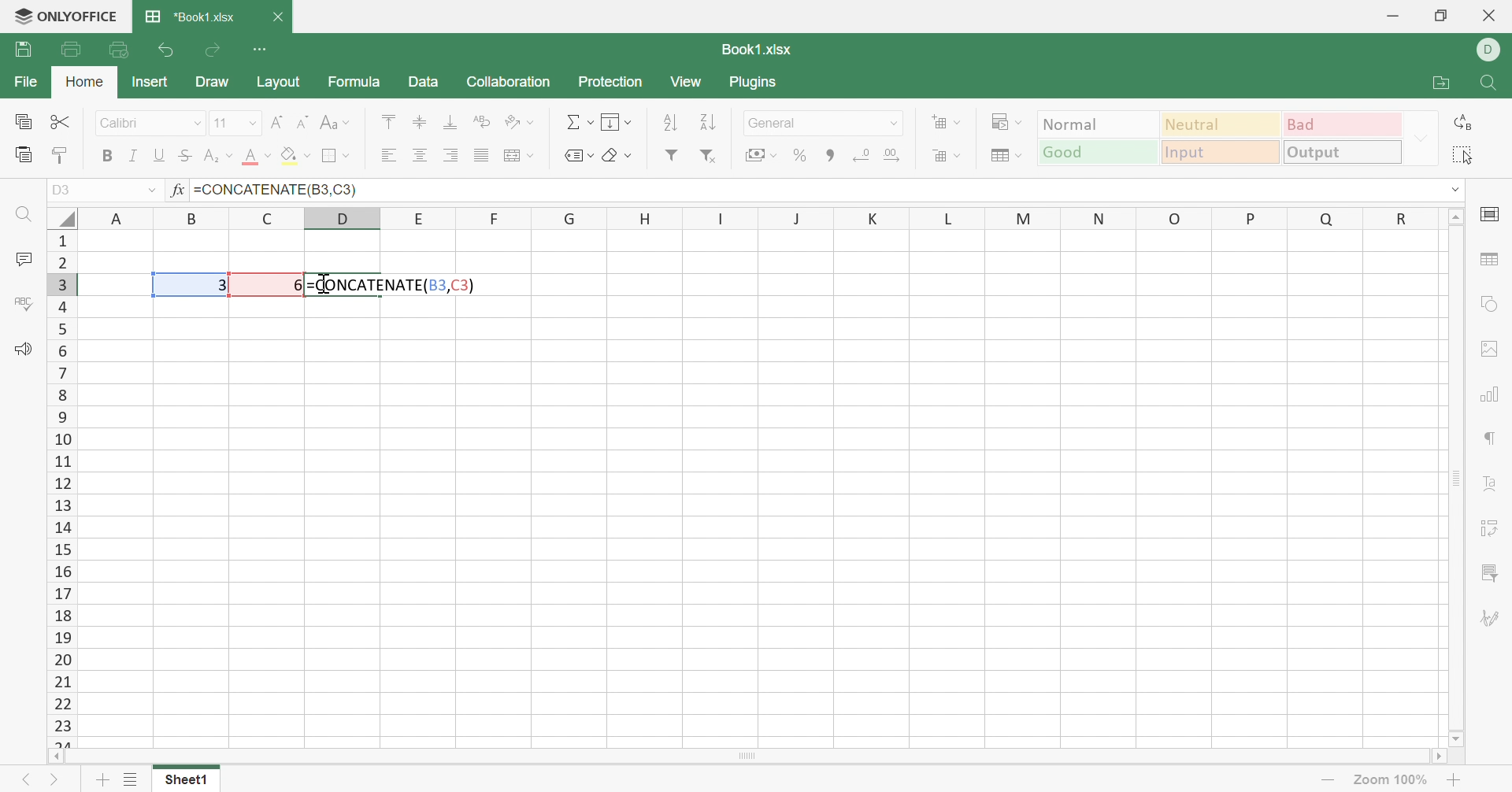 Image resolution: width=1512 pixels, height=792 pixels. What do you see at coordinates (453, 121) in the screenshot?
I see `Align bottom` at bounding box center [453, 121].